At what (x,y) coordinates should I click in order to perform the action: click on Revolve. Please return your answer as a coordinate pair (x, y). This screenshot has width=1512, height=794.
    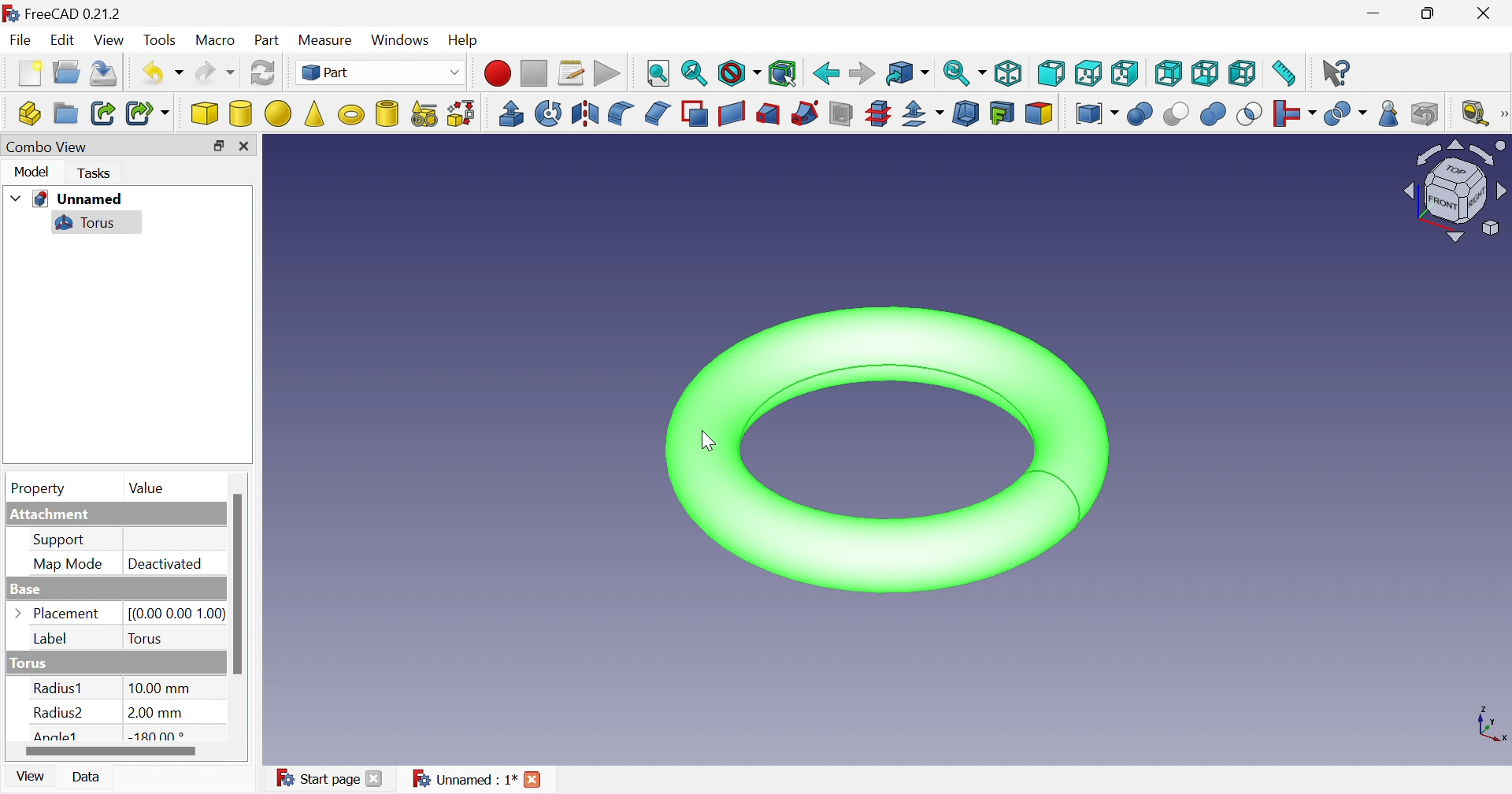
    Looking at the image, I should click on (547, 112).